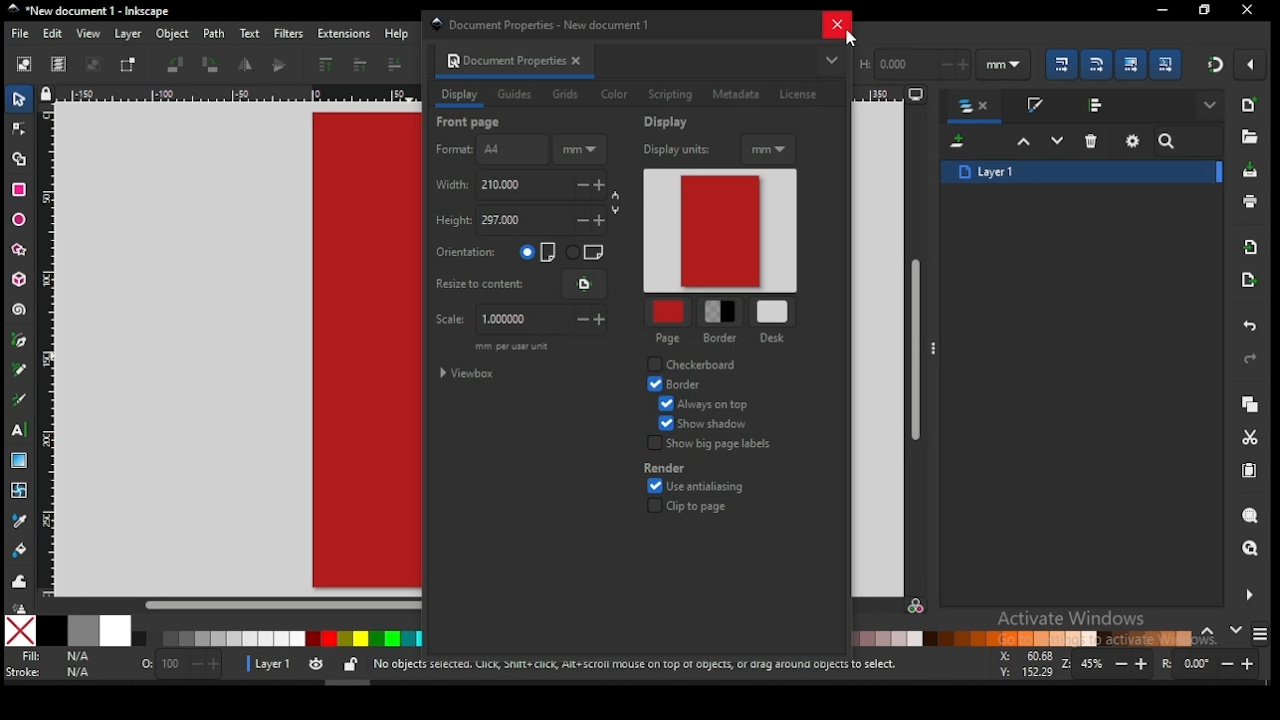 The width and height of the screenshot is (1280, 720). Describe the element at coordinates (1024, 142) in the screenshot. I see `raiseselection one step` at that location.